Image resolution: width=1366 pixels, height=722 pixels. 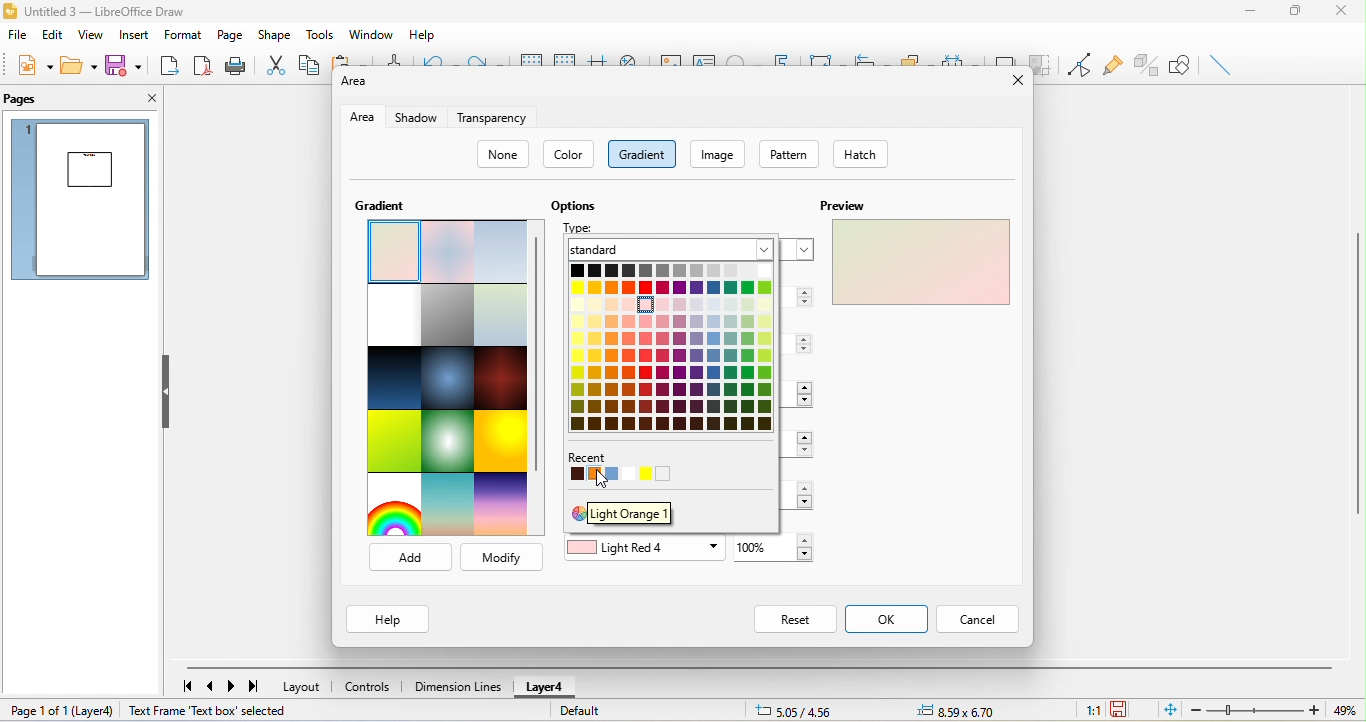 I want to click on light orange 1, so click(x=632, y=513).